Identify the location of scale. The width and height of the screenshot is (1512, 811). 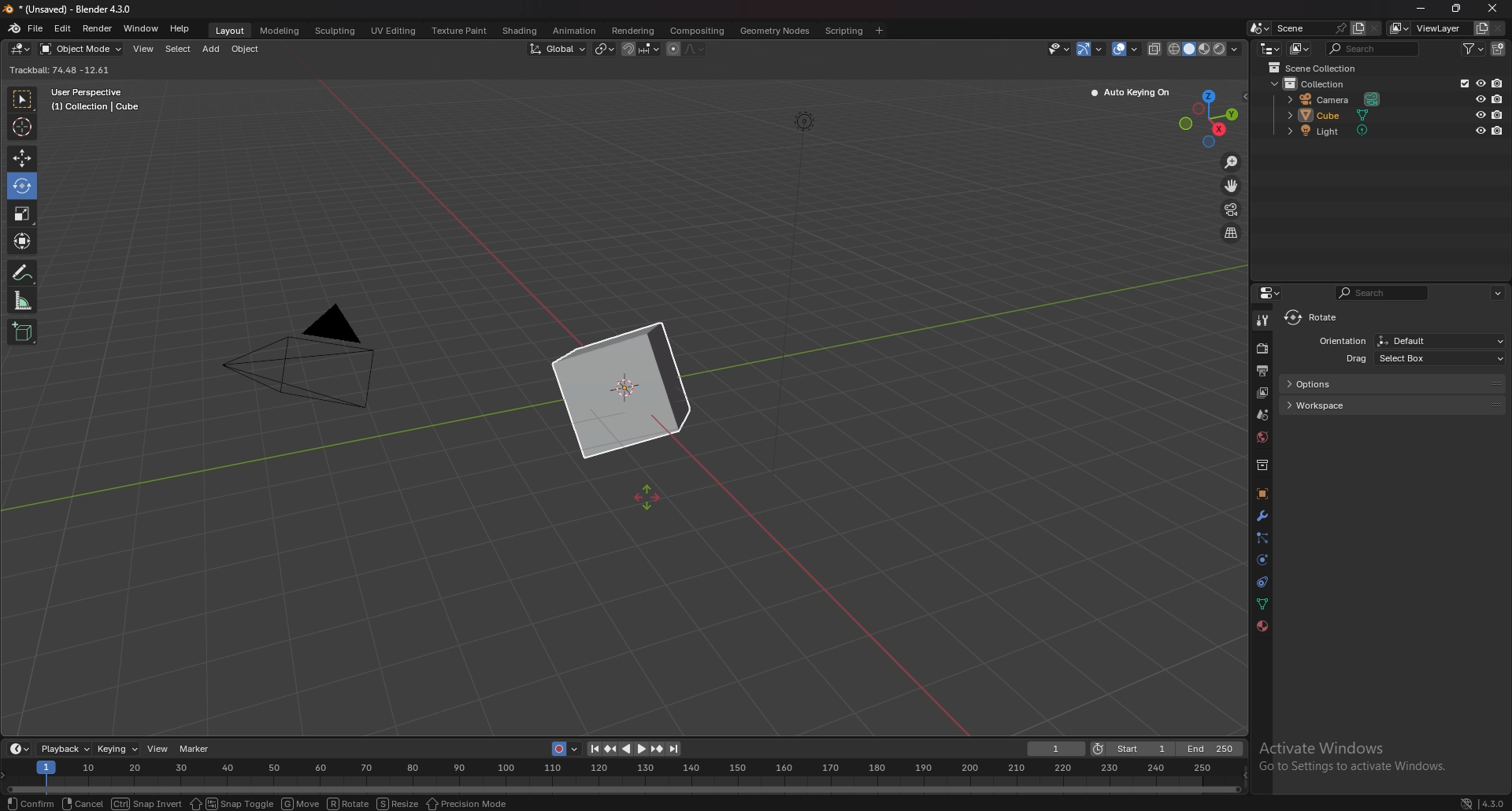
(21, 214).